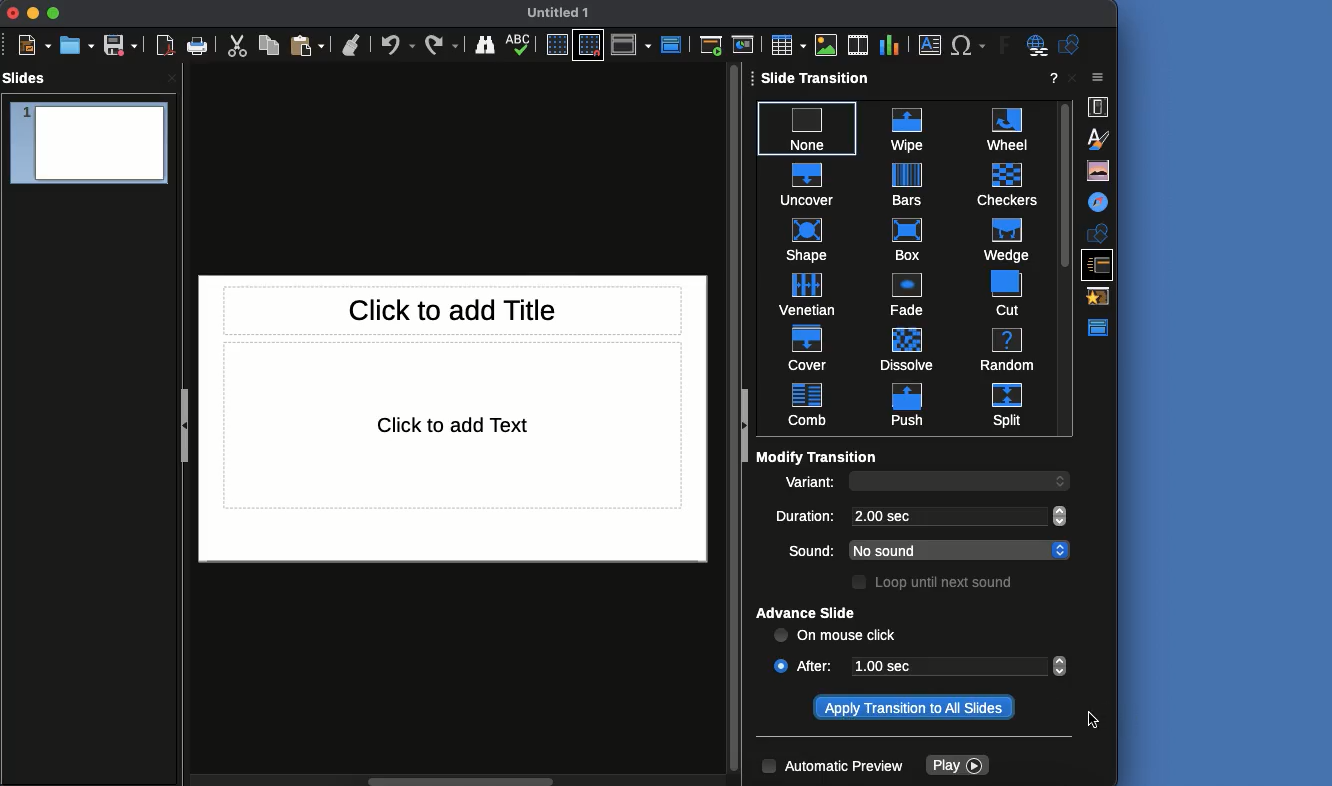  What do you see at coordinates (710, 46) in the screenshot?
I see `Start from first slide` at bounding box center [710, 46].